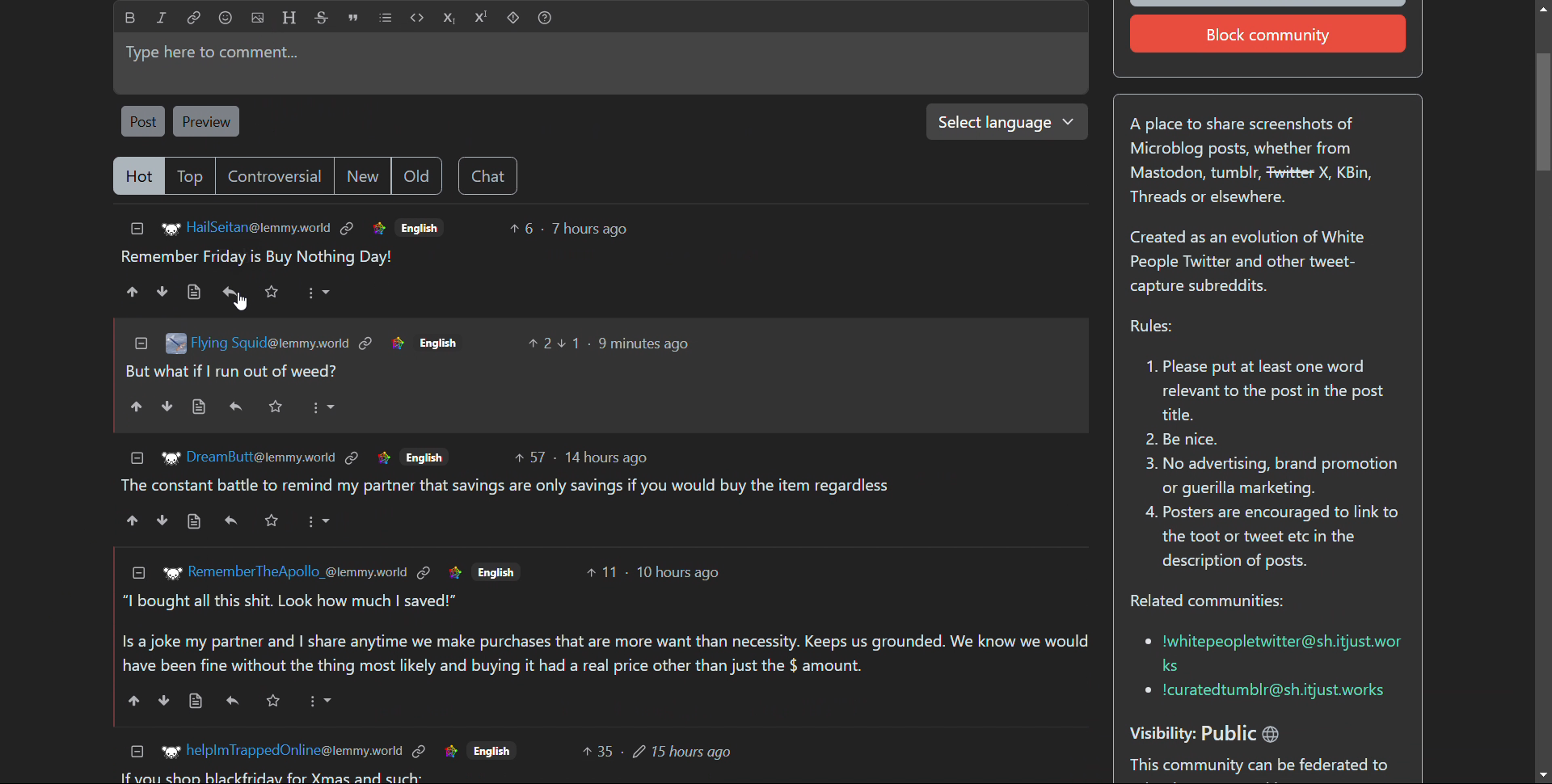  Describe the element at coordinates (365, 343) in the screenshot. I see `link` at that location.